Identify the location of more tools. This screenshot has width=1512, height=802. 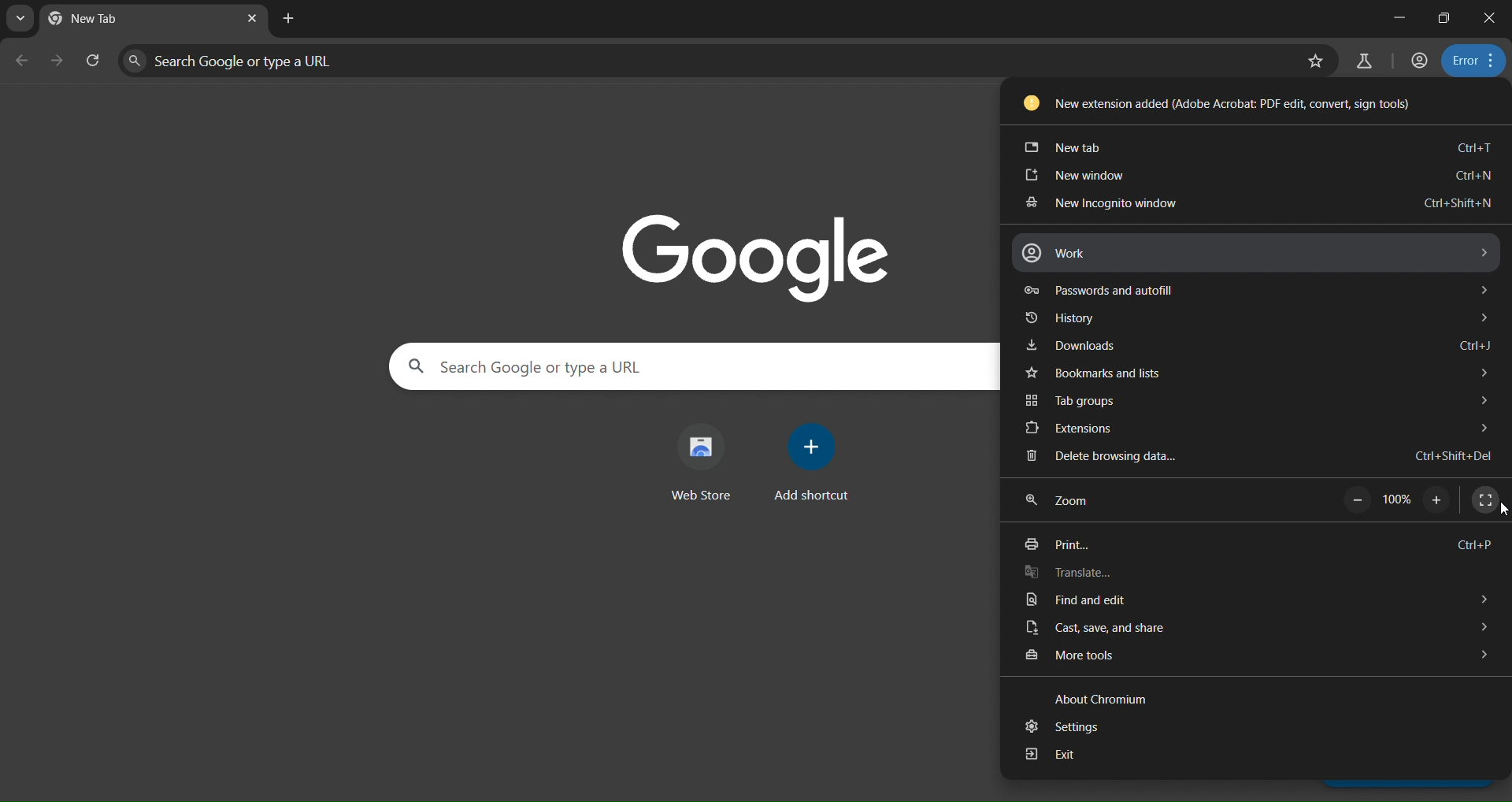
(1251, 655).